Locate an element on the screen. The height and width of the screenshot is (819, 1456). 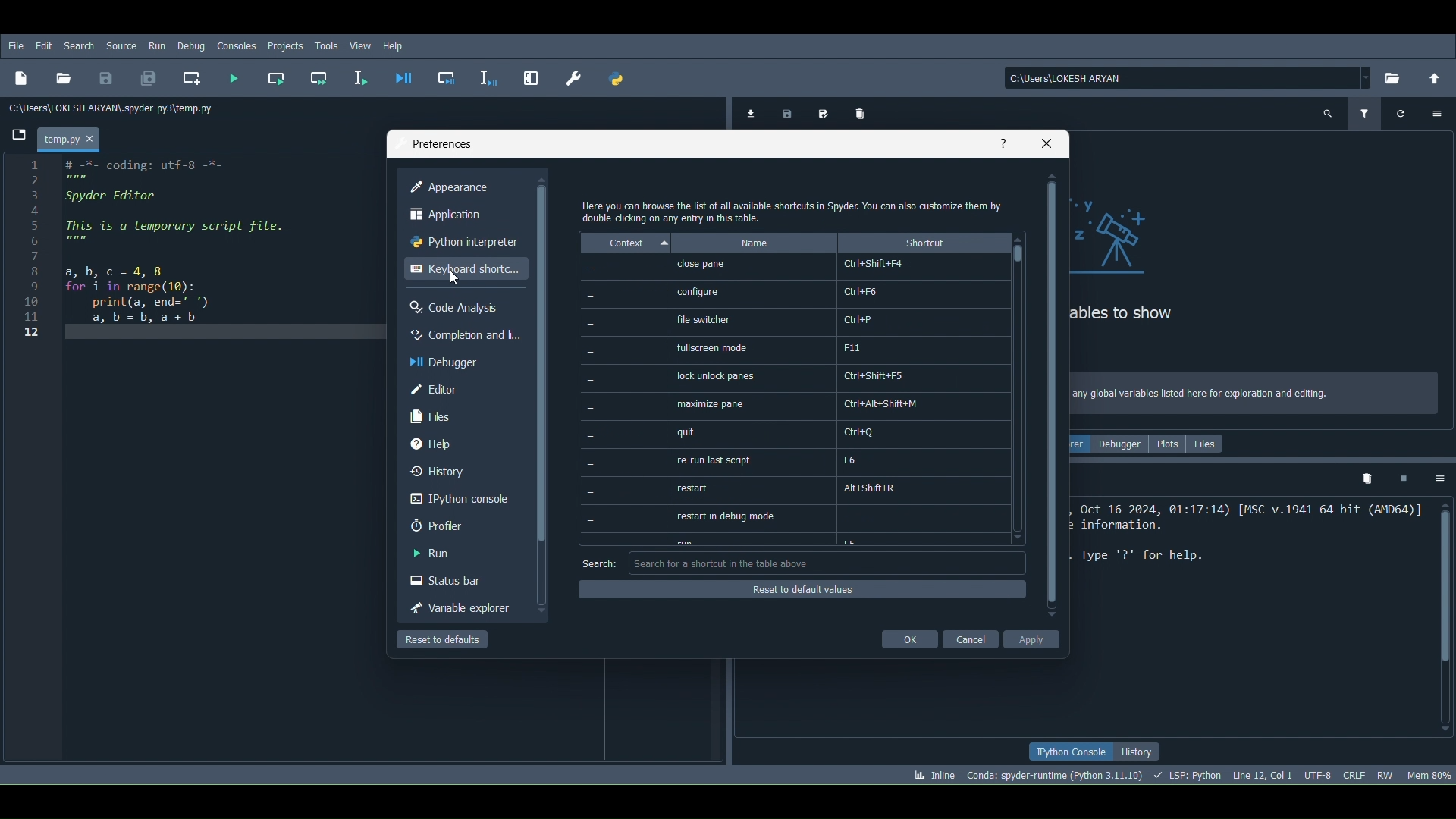
Reset to defaults is located at coordinates (799, 589).